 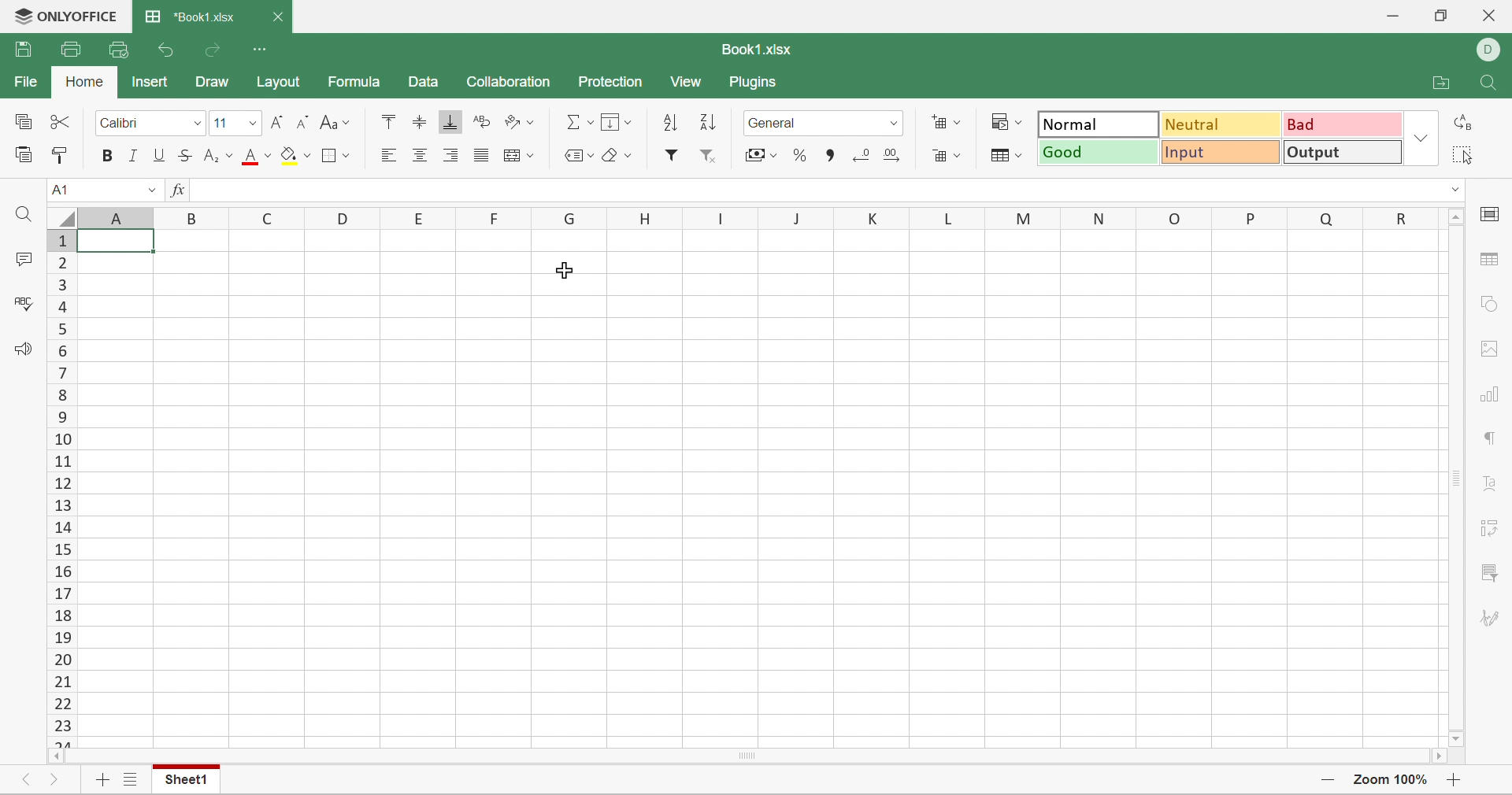 What do you see at coordinates (424, 83) in the screenshot?
I see `Data` at bounding box center [424, 83].